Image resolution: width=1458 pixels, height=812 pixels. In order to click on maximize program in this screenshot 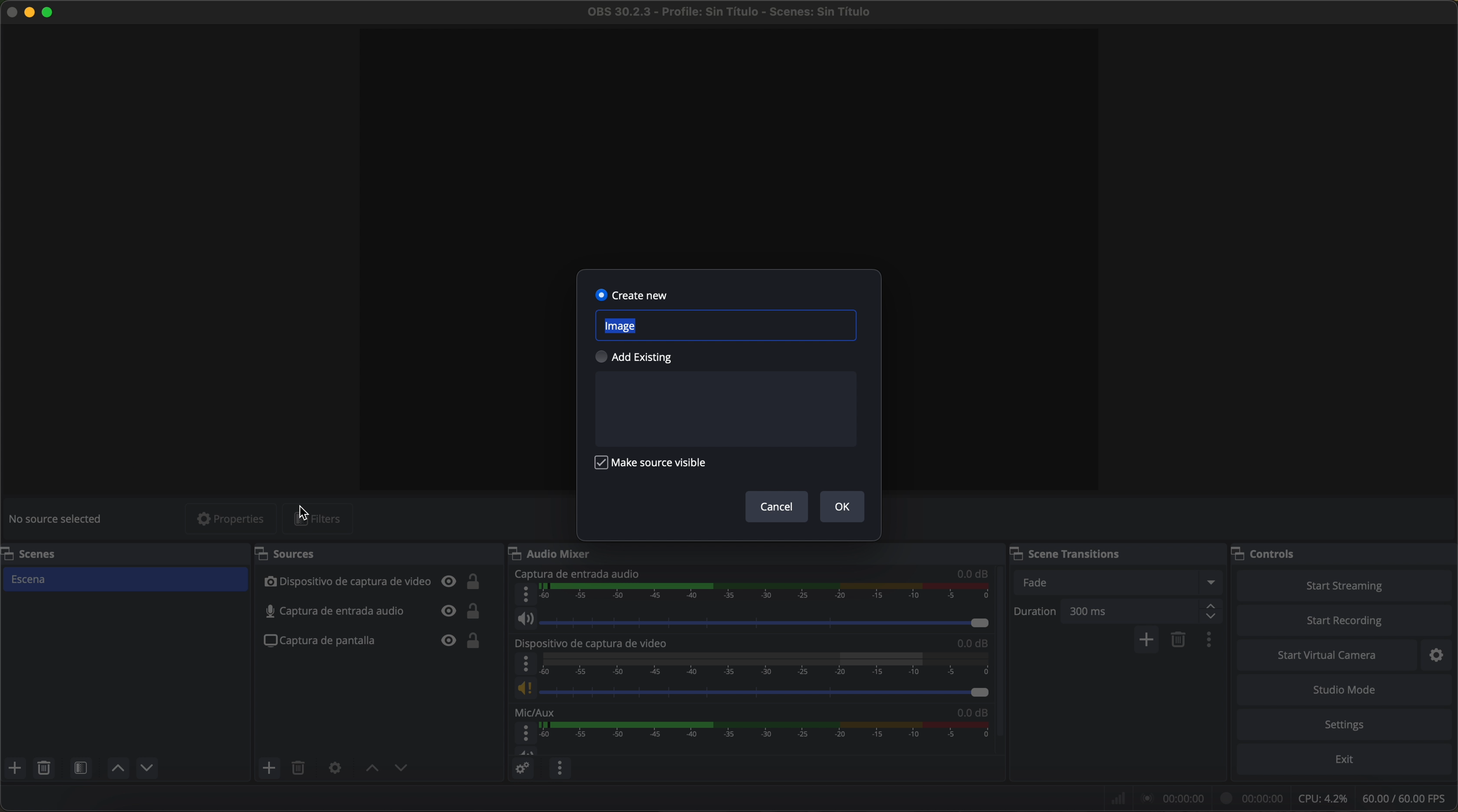, I will do `click(50, 11)`.